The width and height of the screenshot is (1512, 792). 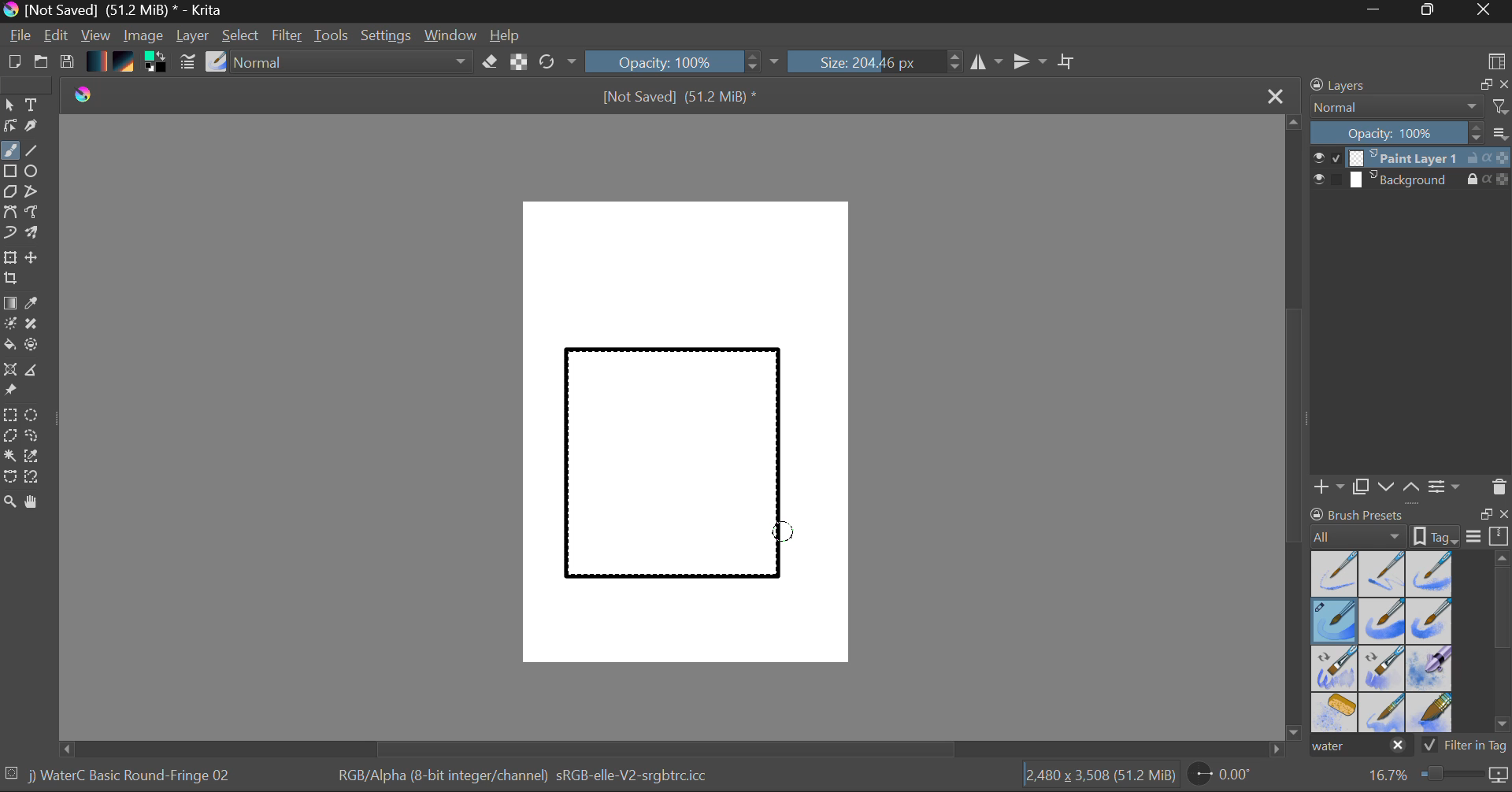 I want to click on Elipses, so click(x=34, y=172).